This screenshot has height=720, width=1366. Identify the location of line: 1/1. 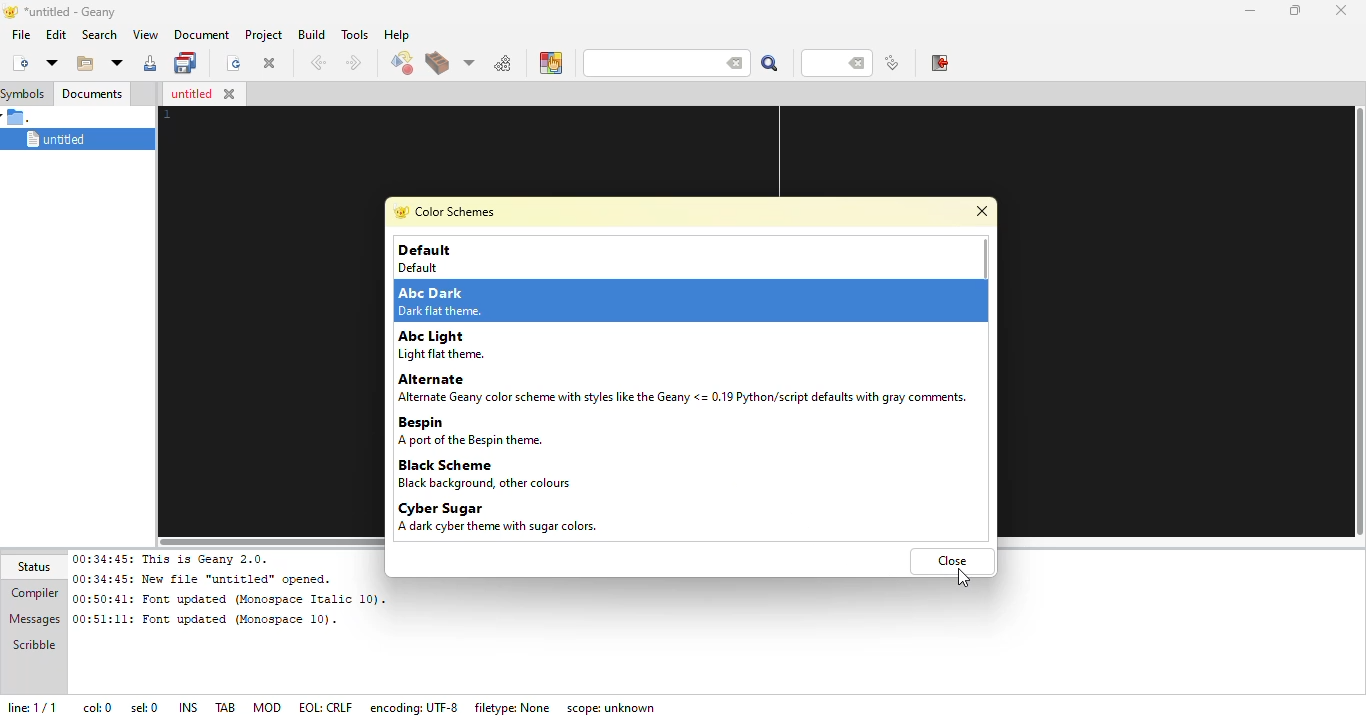
(37, 706).